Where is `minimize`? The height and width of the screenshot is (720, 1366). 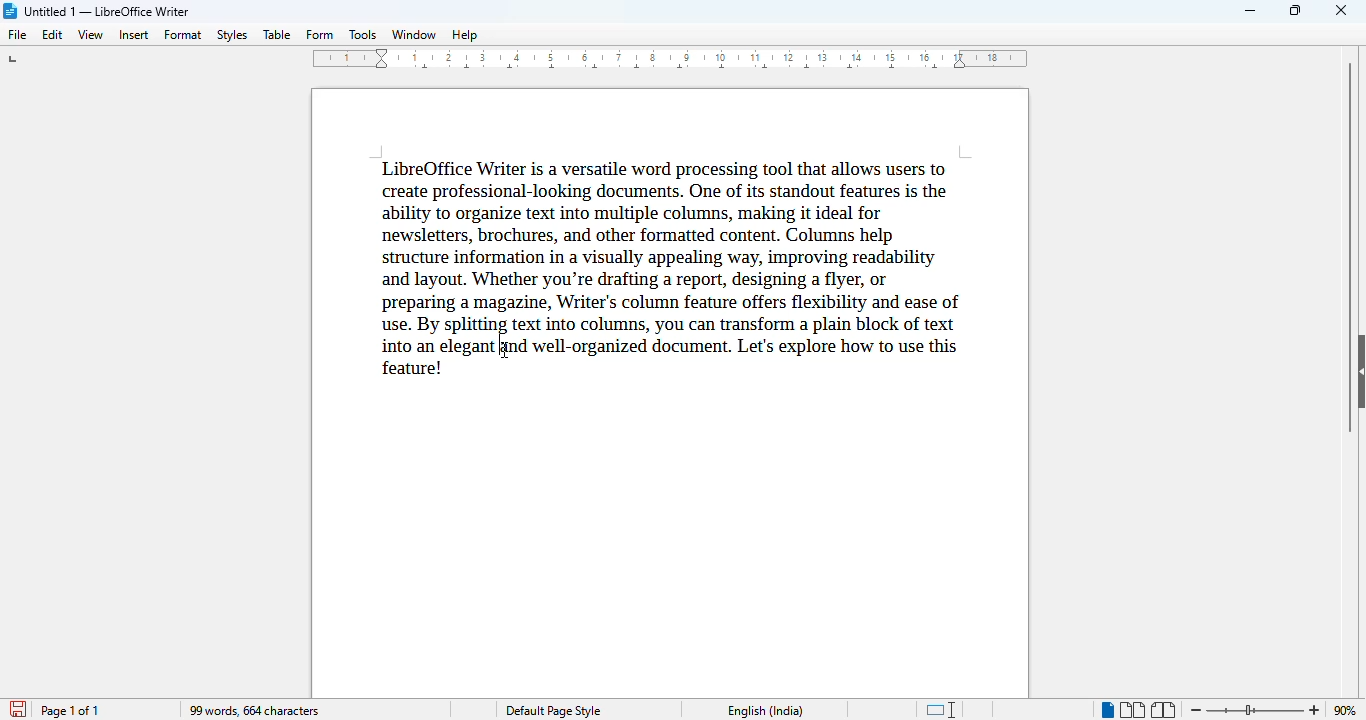 minimize is located at coordinates (1252, 11).